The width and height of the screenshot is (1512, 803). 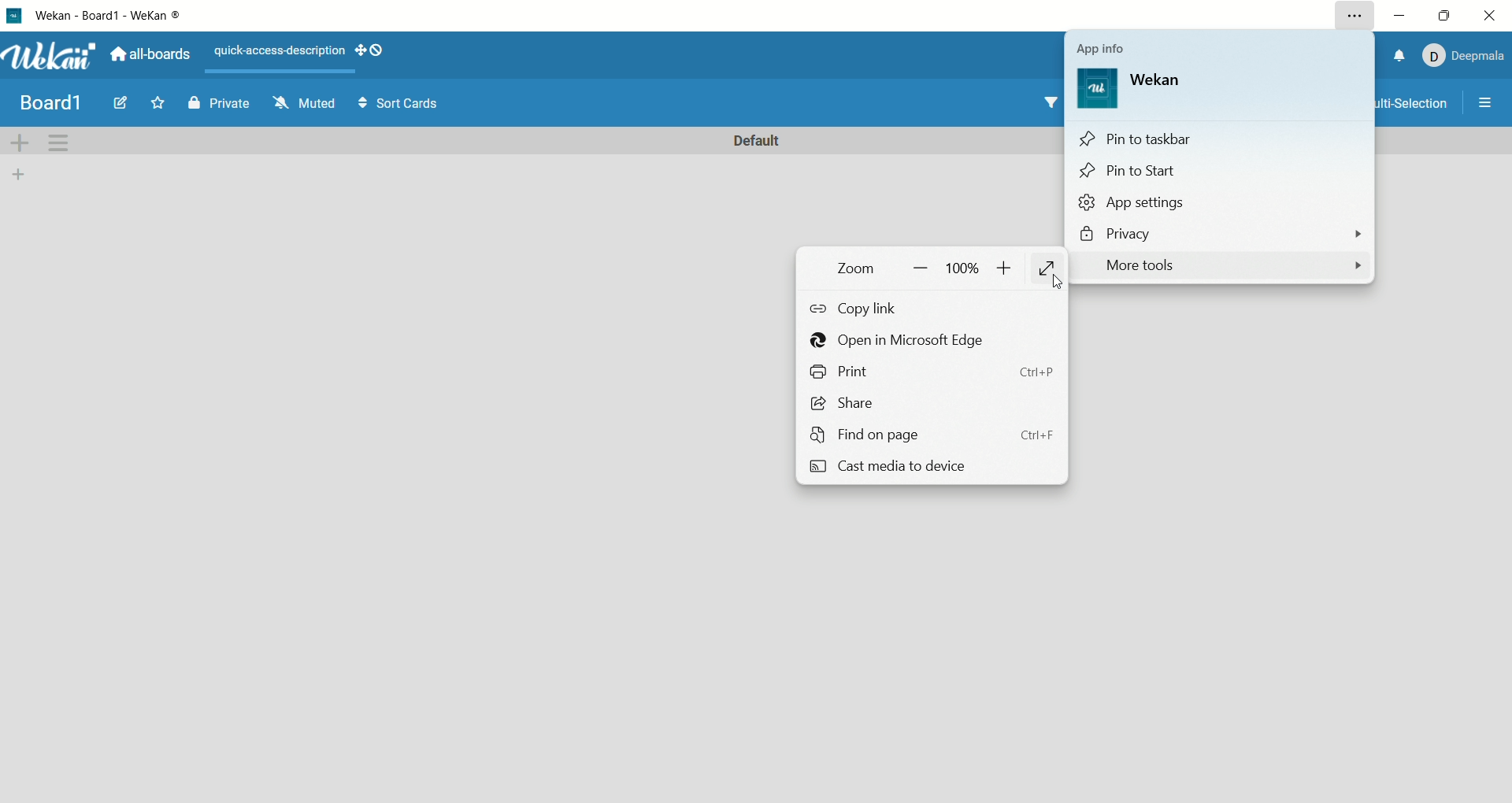 I want to click on pin to task bar, so click(x=1221, y=139).